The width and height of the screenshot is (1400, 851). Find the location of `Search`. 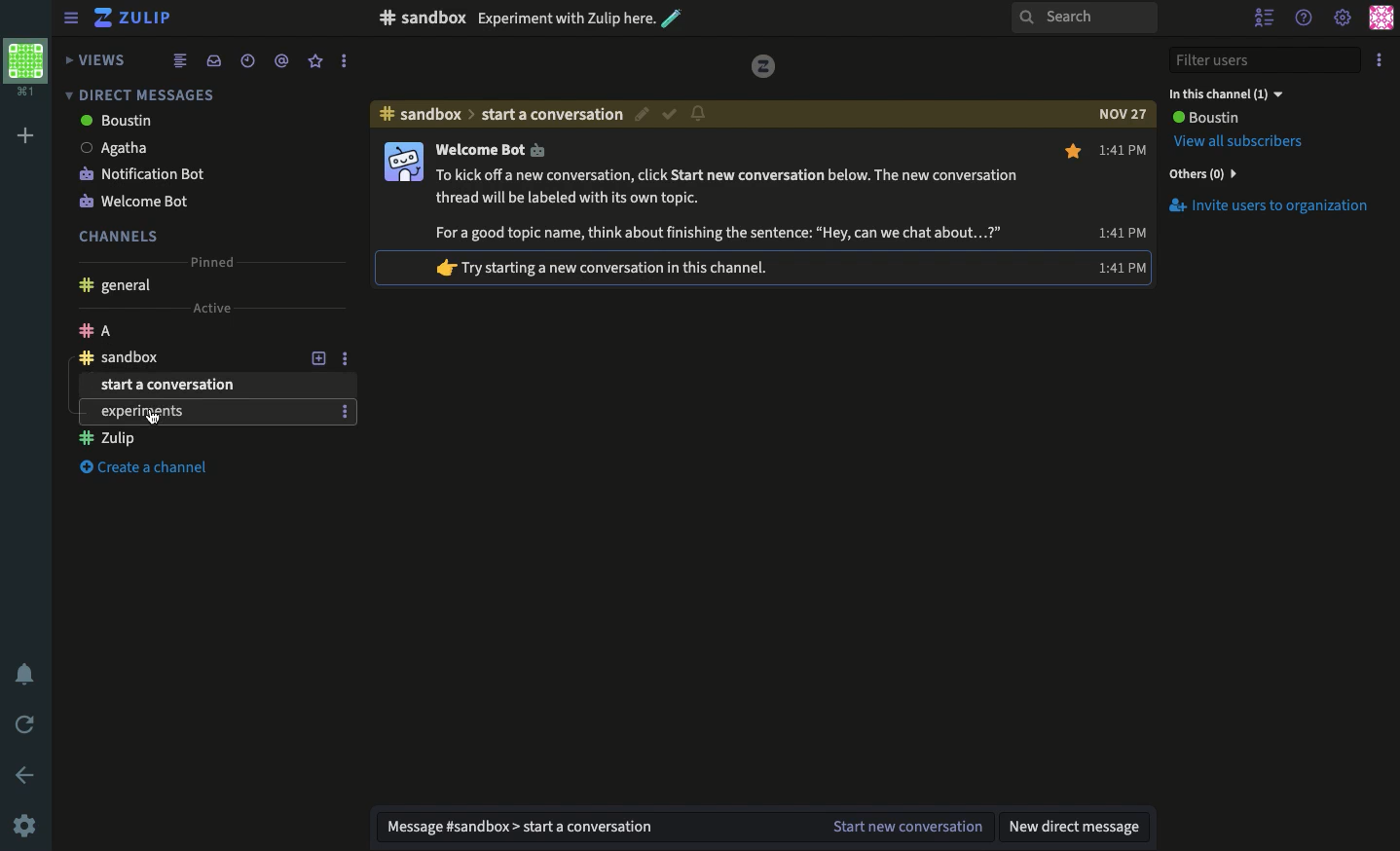

Search is located at coordinates (1083, 18).